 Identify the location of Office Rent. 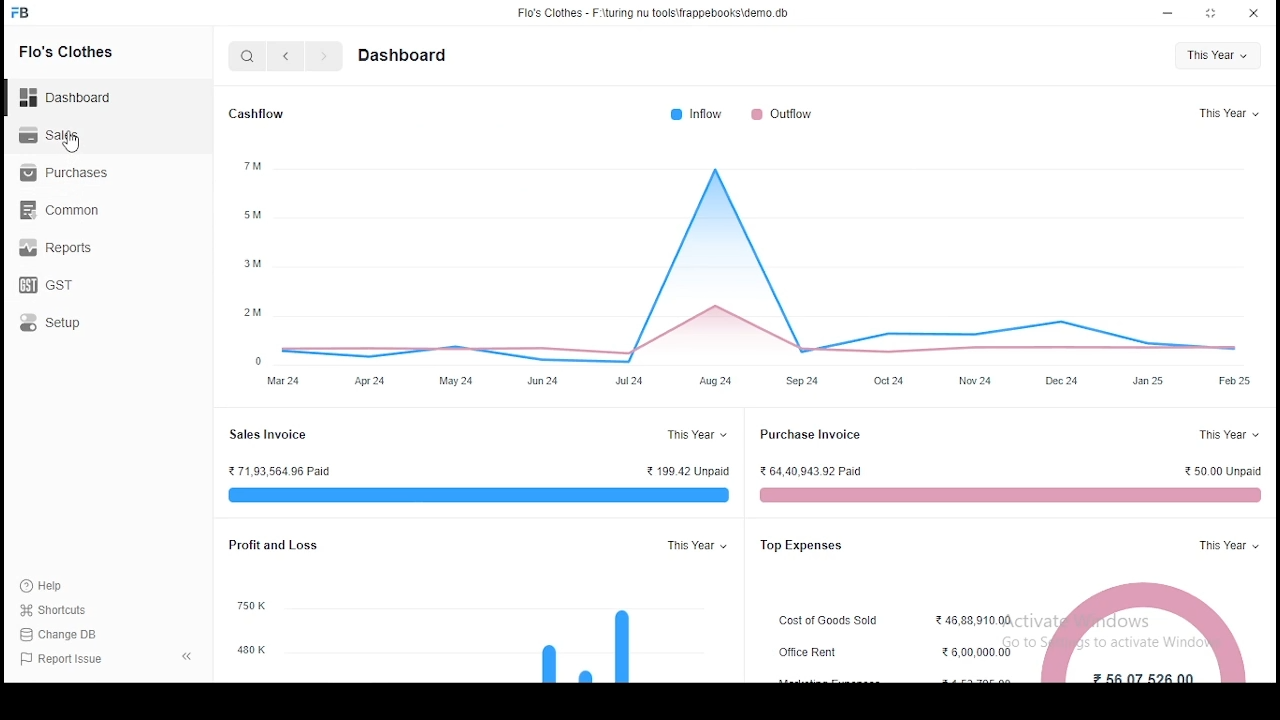
(808, 653).